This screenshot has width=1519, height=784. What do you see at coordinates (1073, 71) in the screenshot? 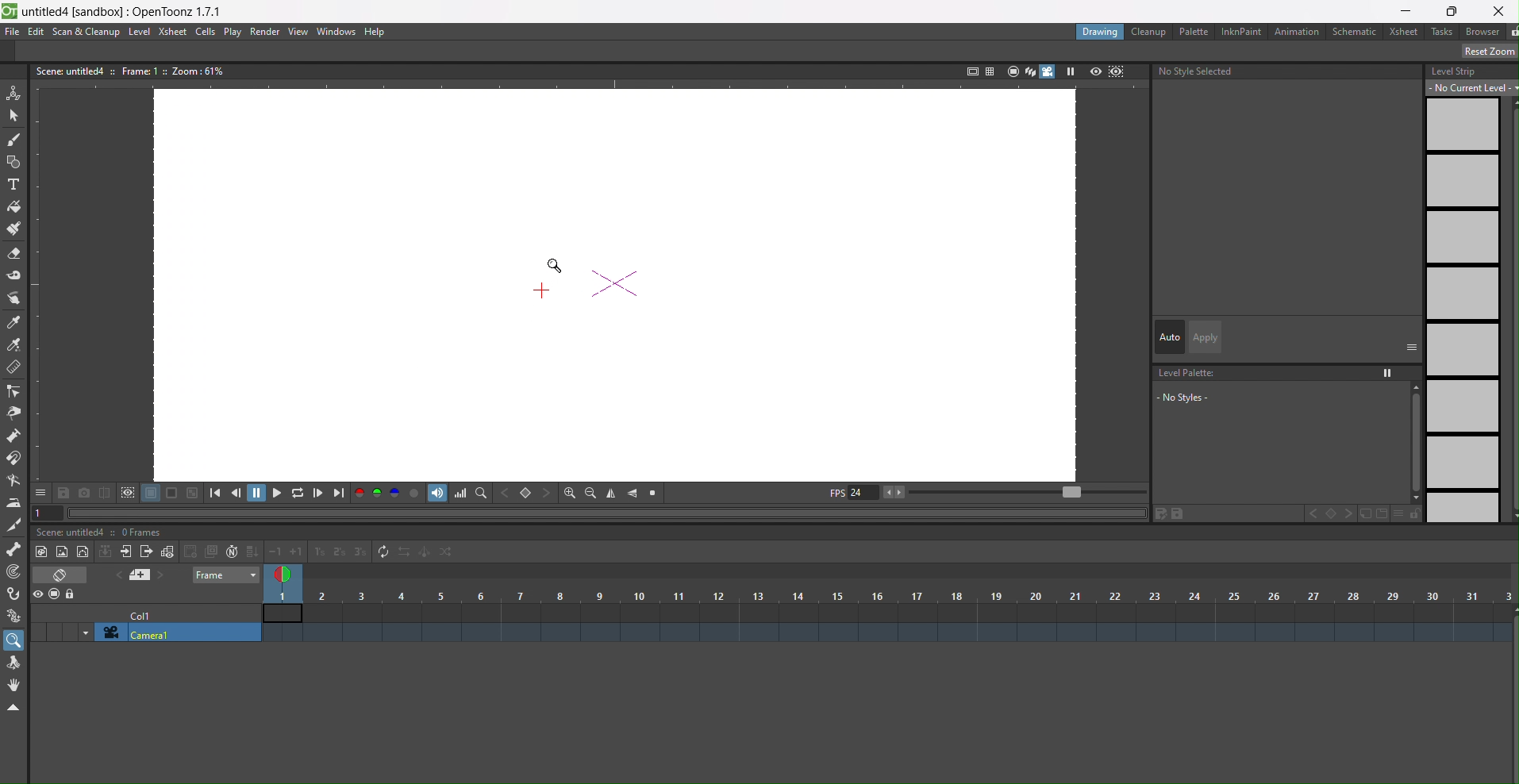
I see `play` at bounding box center [1073, 71].